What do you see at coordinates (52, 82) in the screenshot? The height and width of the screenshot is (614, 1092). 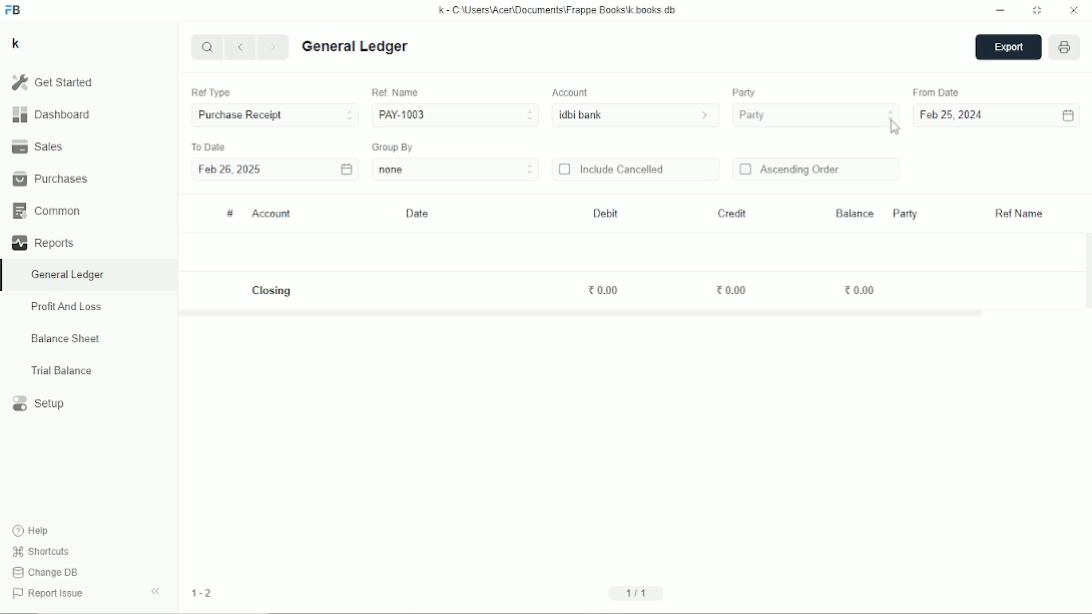 I see `Get started` at bounding box center [52, 82].